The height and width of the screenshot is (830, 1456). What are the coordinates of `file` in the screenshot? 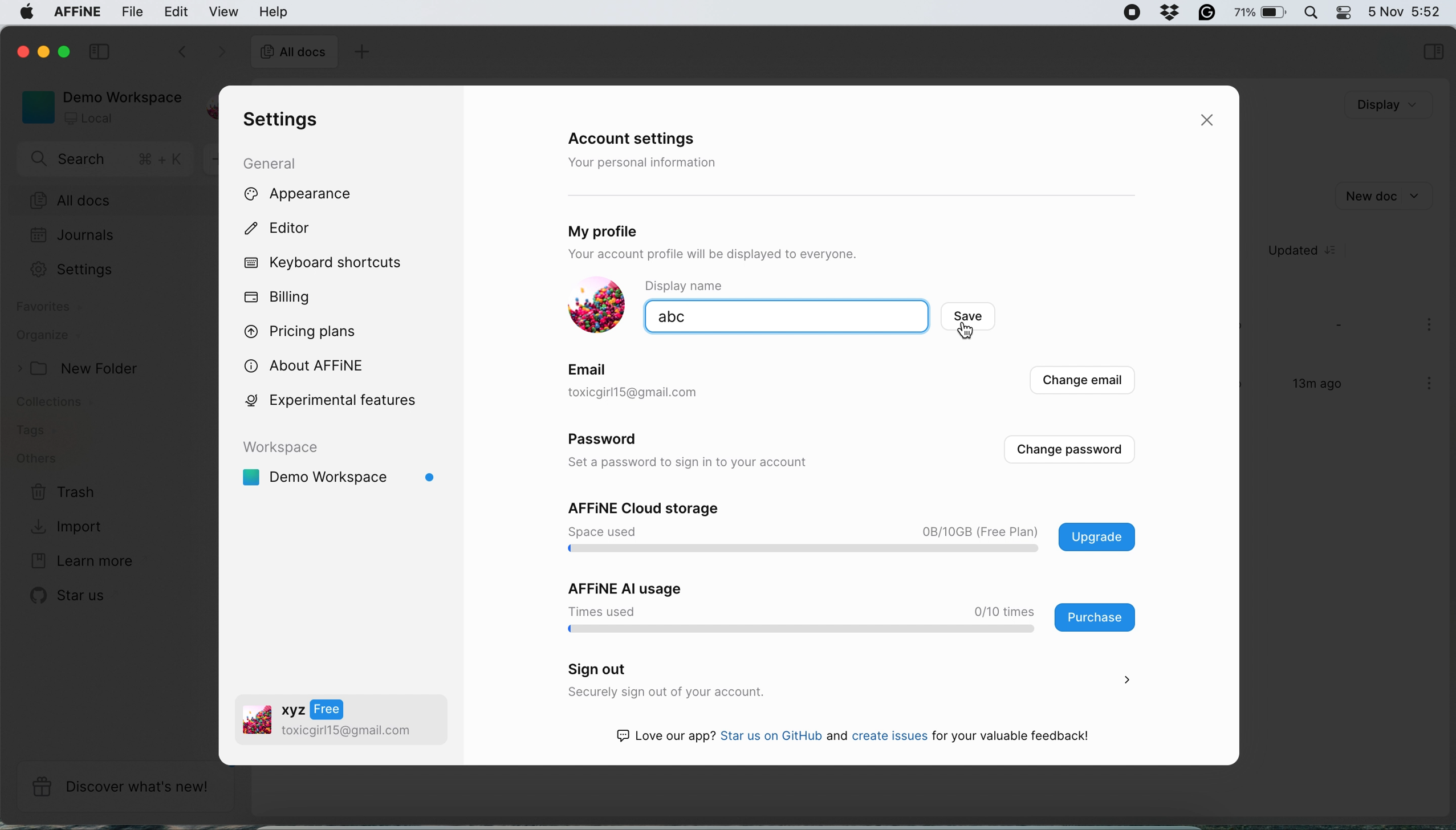 It's located at (133, 12).